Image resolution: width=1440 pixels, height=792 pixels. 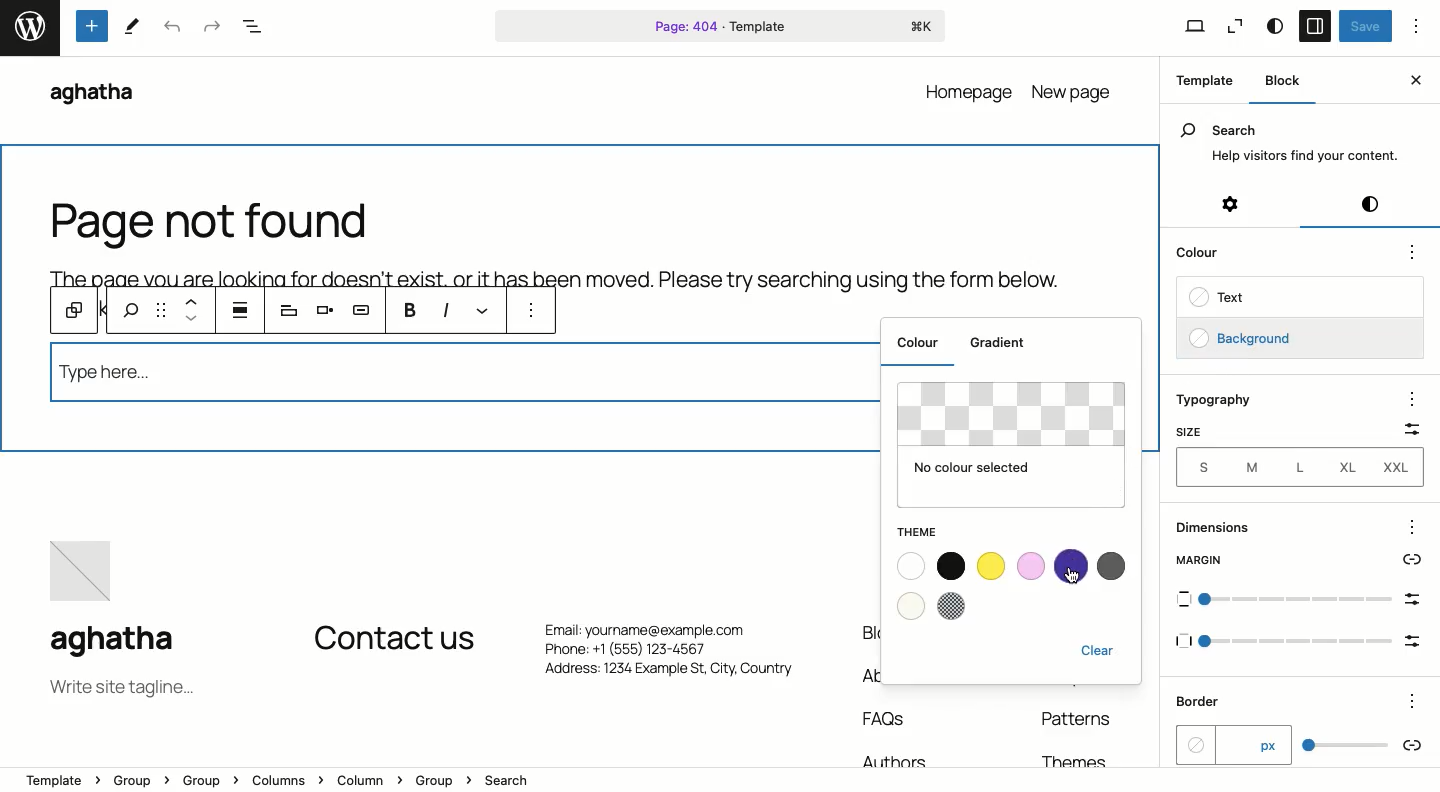 What do you see at coordinates (1198, 468) in the screenshot?
I see `Sizes` at bounding box center [1198, 468].